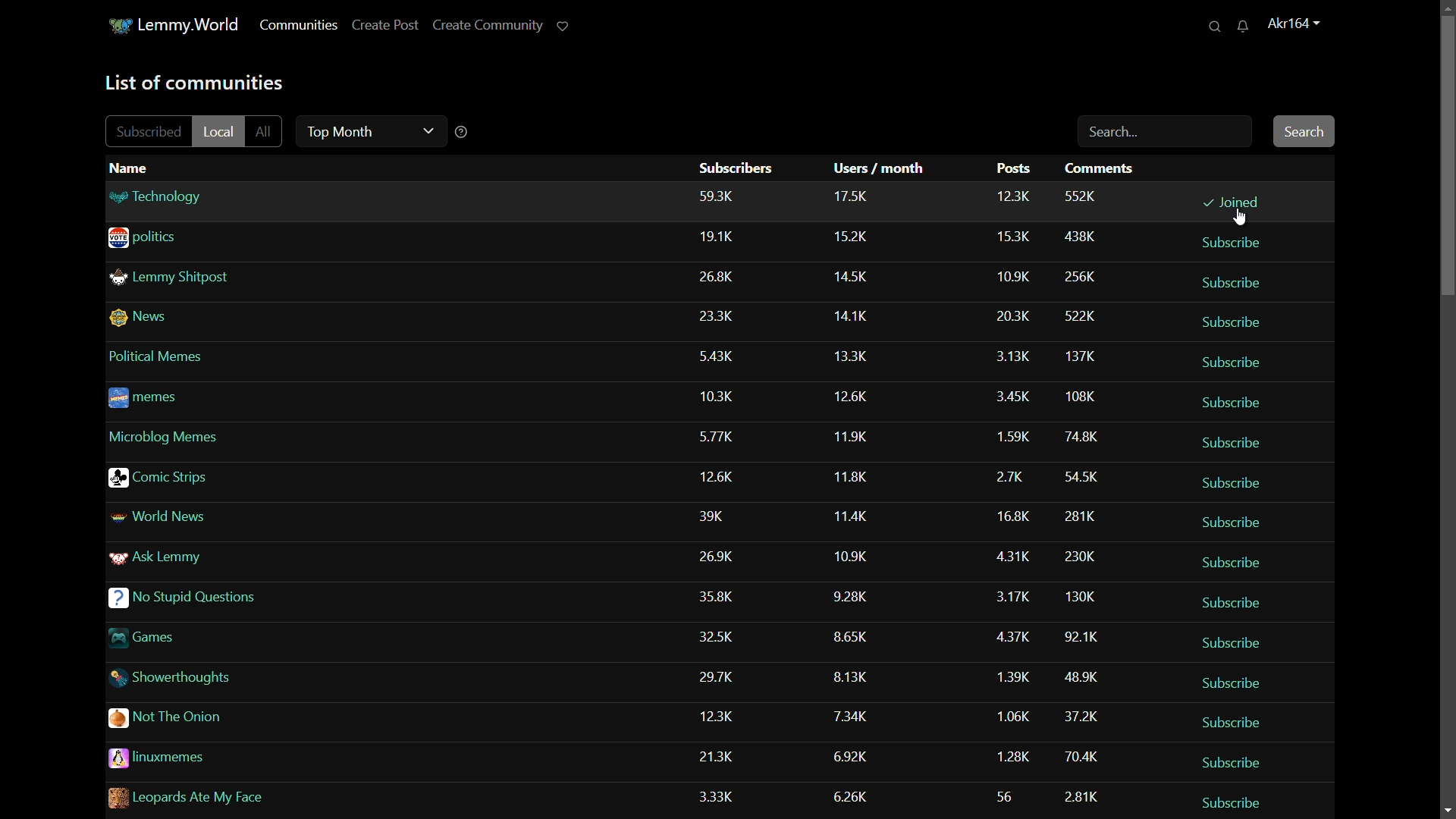 This screenshot has height=819, width=1456. What do you see at coordinates (851, 676) in the screenshot?
I see `user per month` at bounding box center [851, 676].